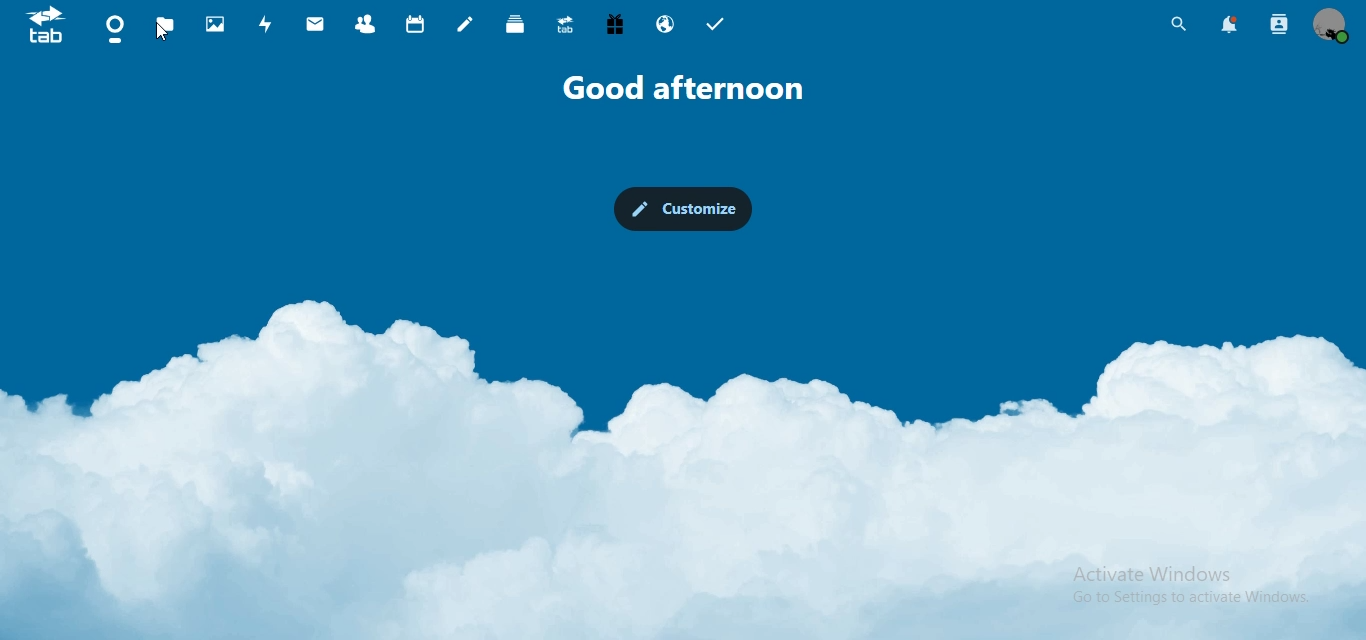  What do you see at coordinates (264, 24) in the screenshot?
I see `activity` at bounding box center [264, 24].